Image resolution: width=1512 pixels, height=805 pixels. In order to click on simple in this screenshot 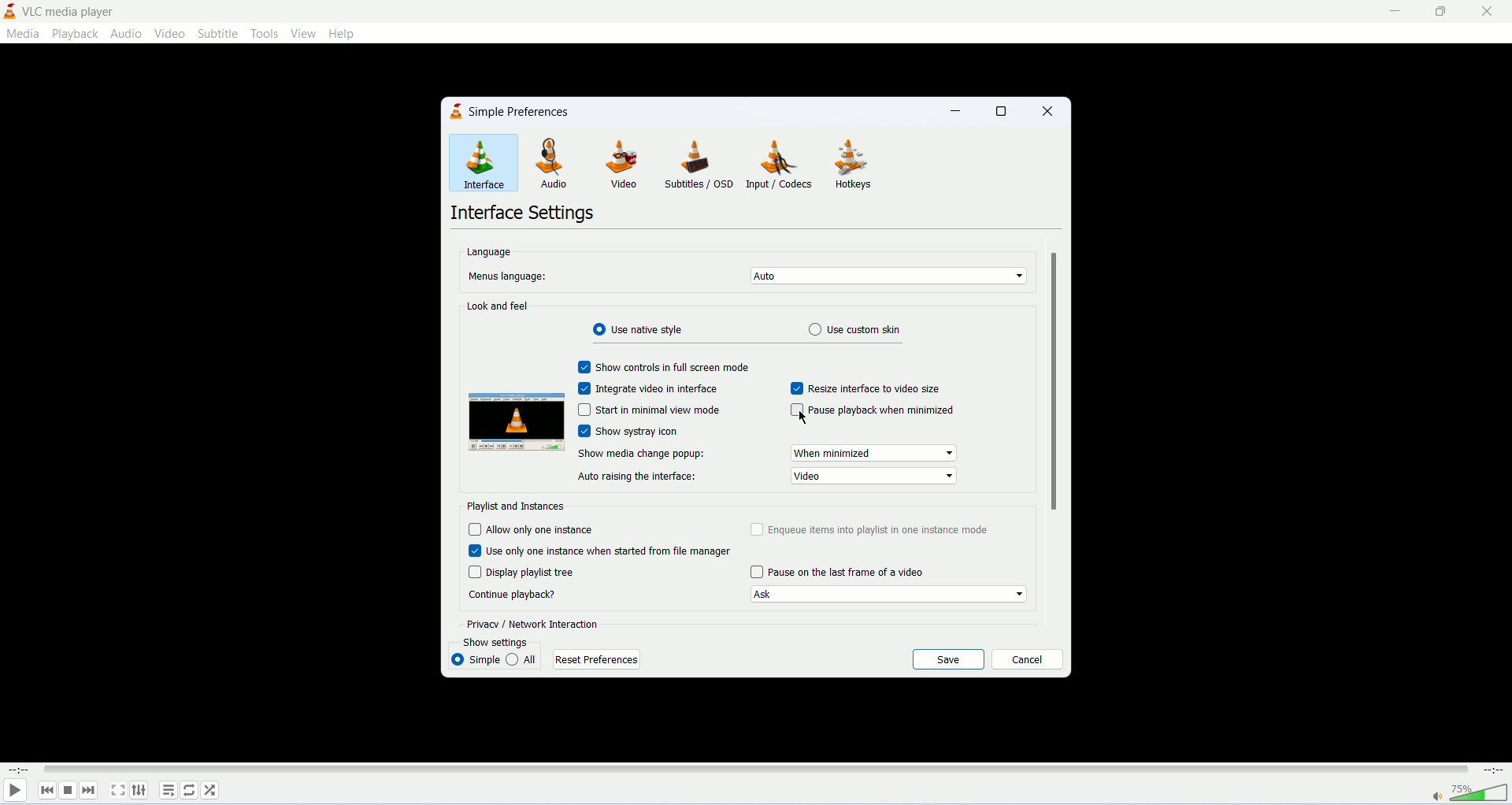, I will do `click(476, 661)`.